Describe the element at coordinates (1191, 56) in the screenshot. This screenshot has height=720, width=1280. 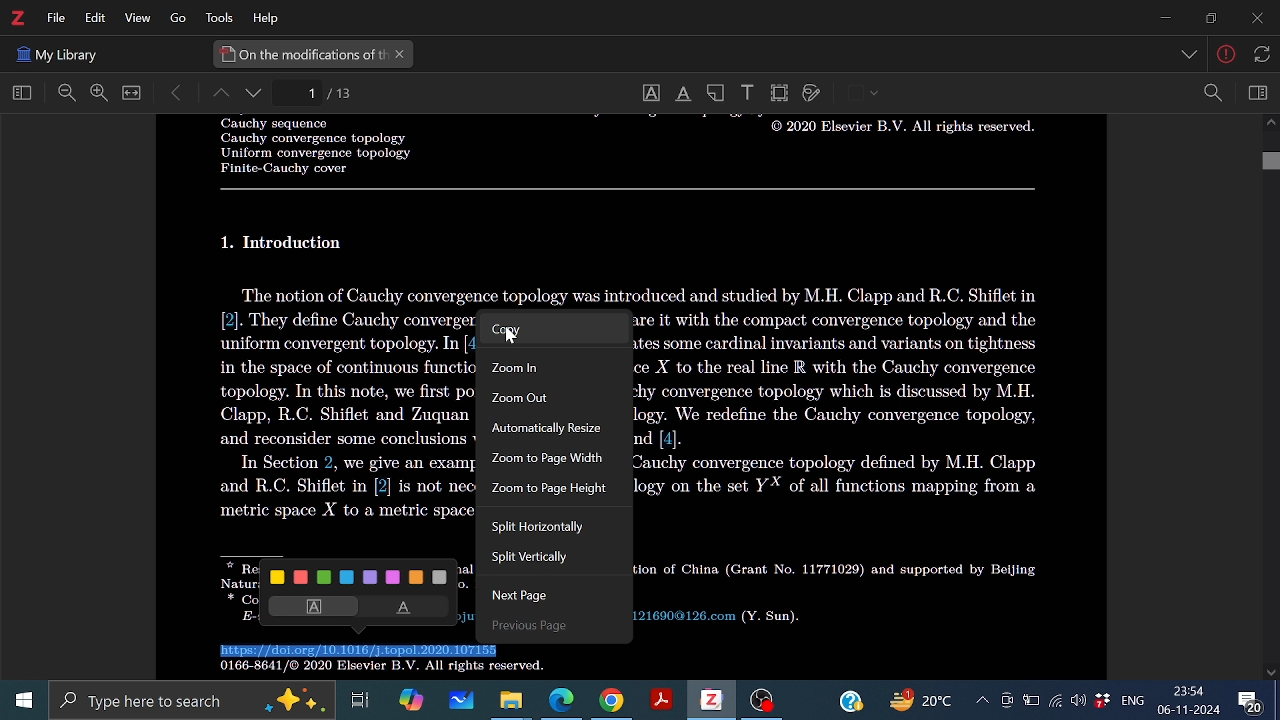
I see `` at that location.